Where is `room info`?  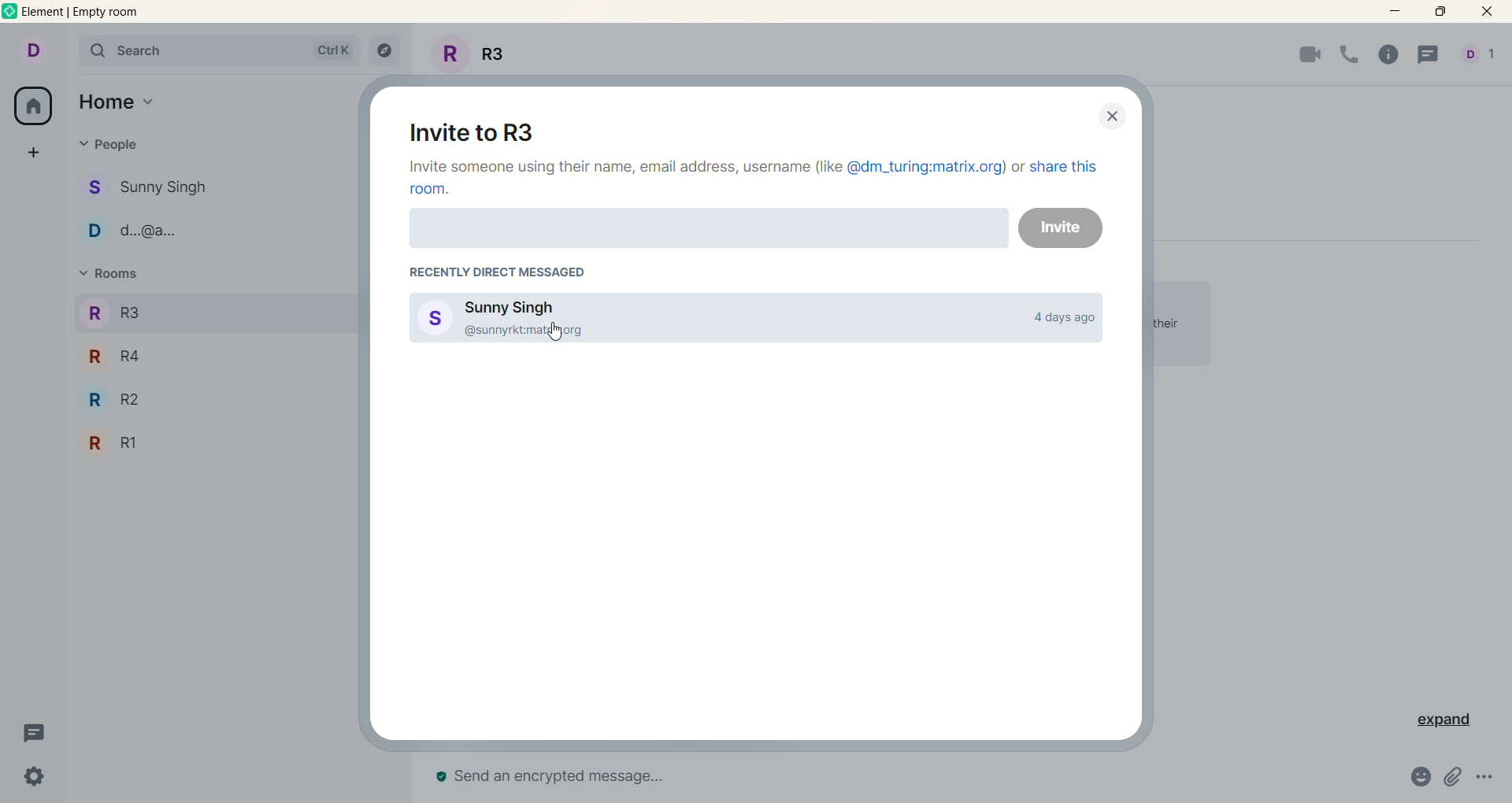 room info is located at coordinates (1388, 56).